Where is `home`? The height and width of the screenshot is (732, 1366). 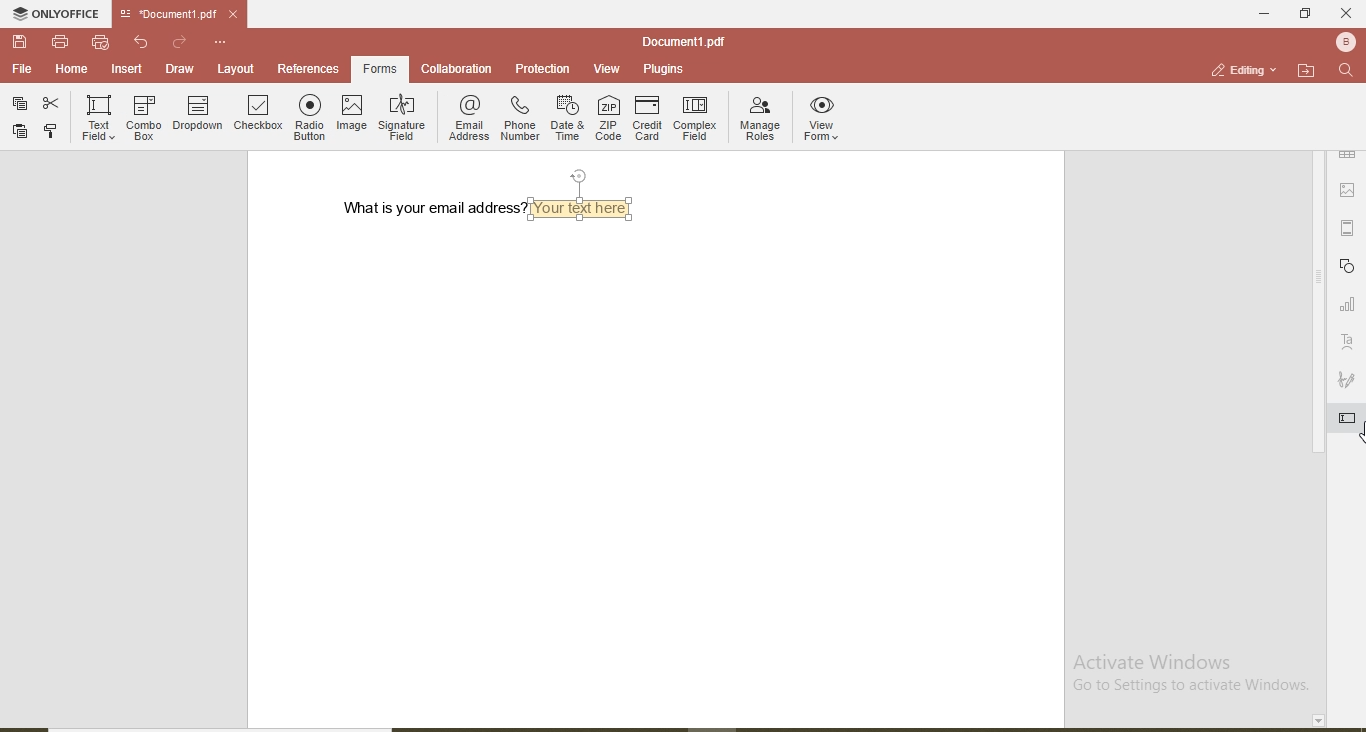 home is located at coordinates (68, 69).